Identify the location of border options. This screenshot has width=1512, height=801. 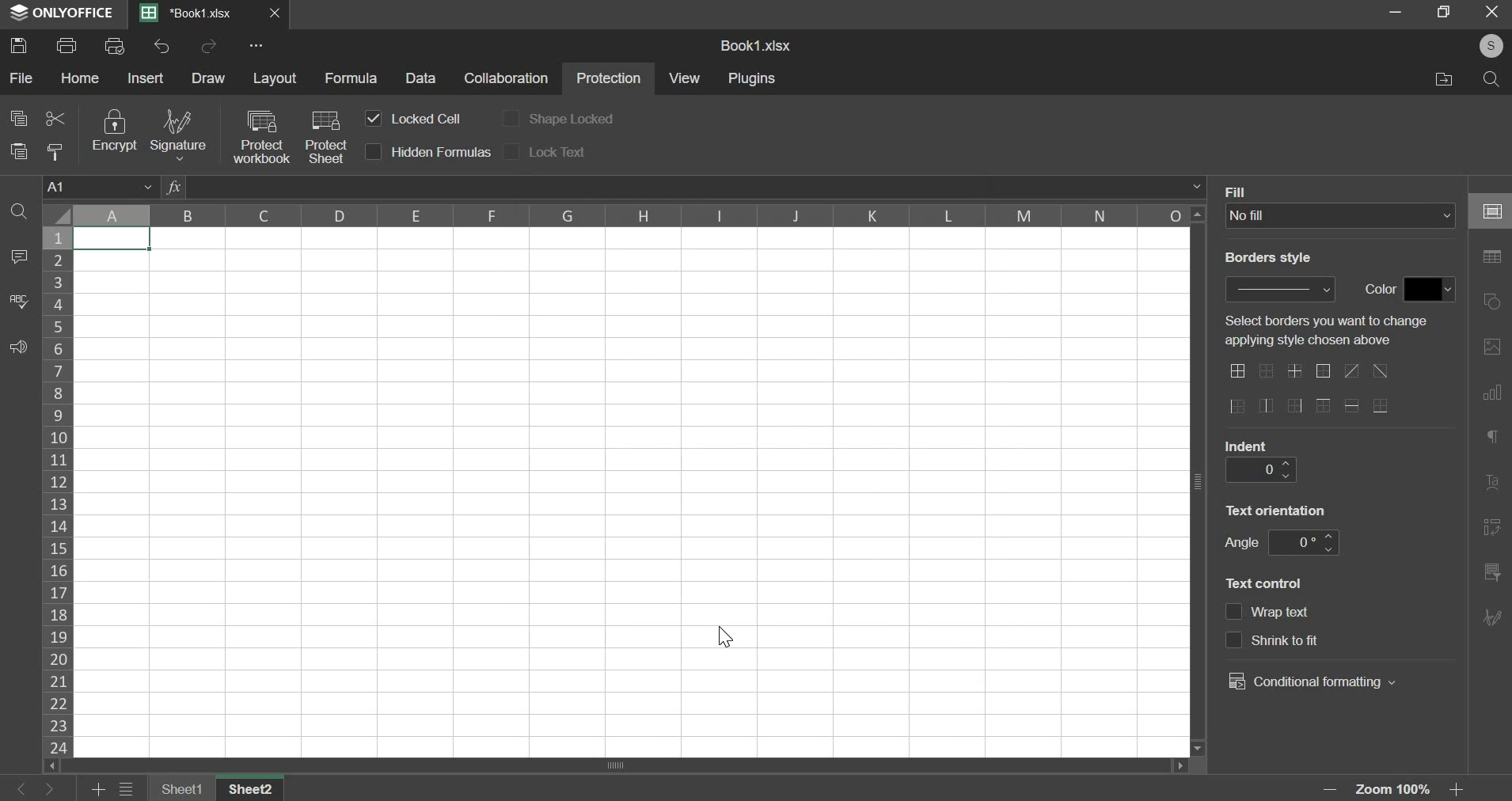
(1296, 371).